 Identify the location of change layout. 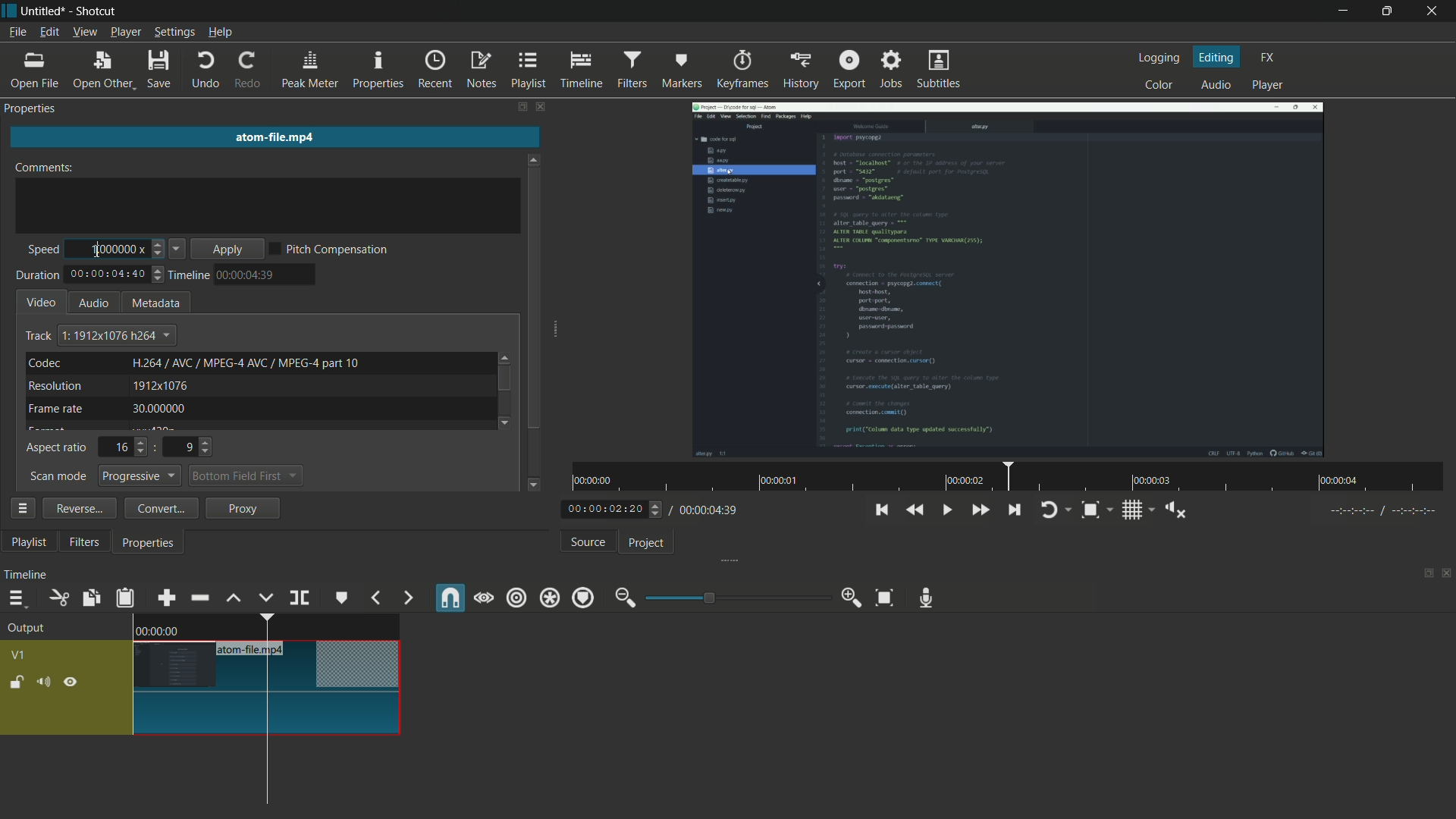
(1423, 576).